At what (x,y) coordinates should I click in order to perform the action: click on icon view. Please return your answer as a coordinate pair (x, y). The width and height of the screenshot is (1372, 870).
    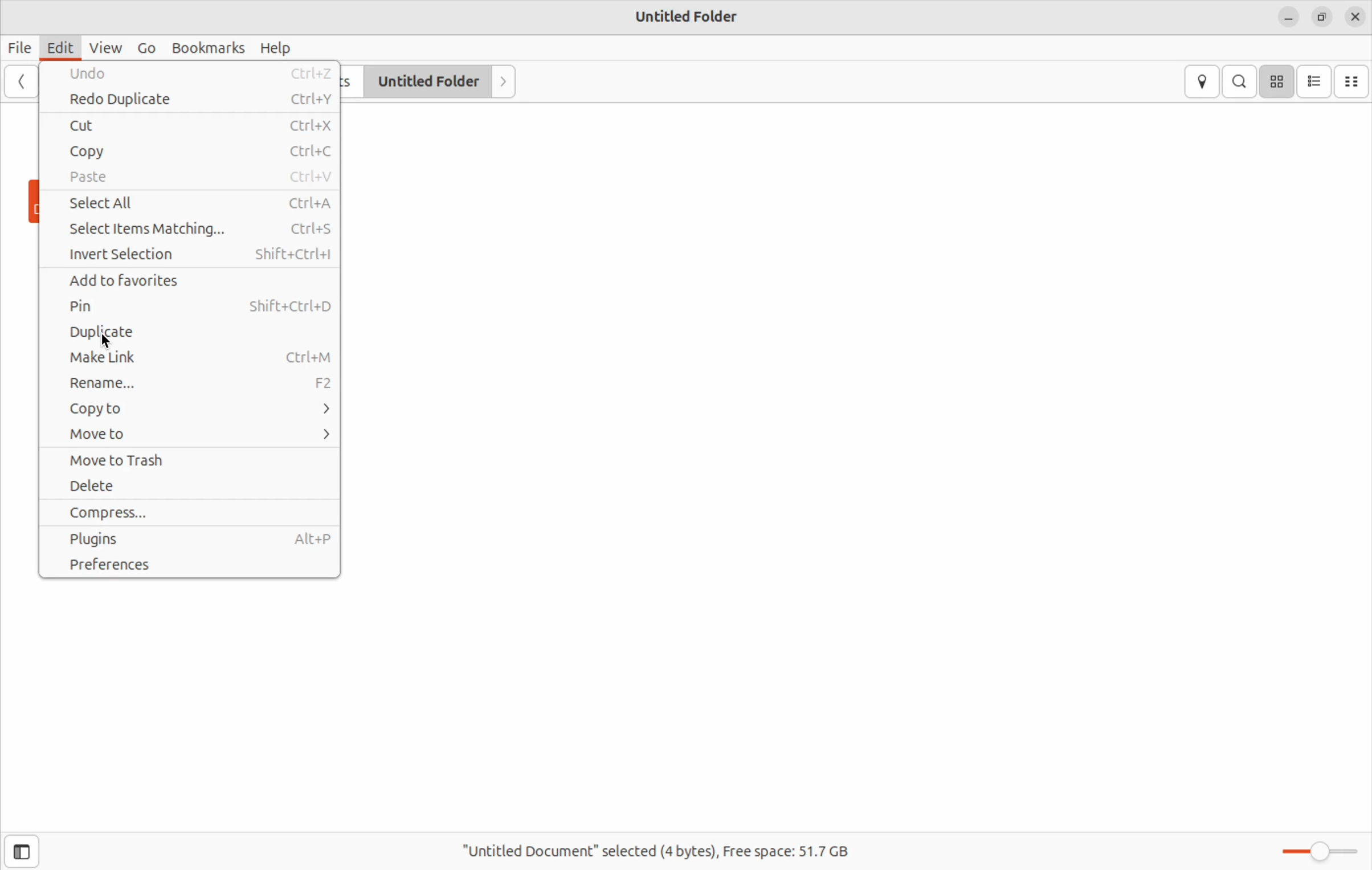
    Looking at the image, I should click on (1279, 81).